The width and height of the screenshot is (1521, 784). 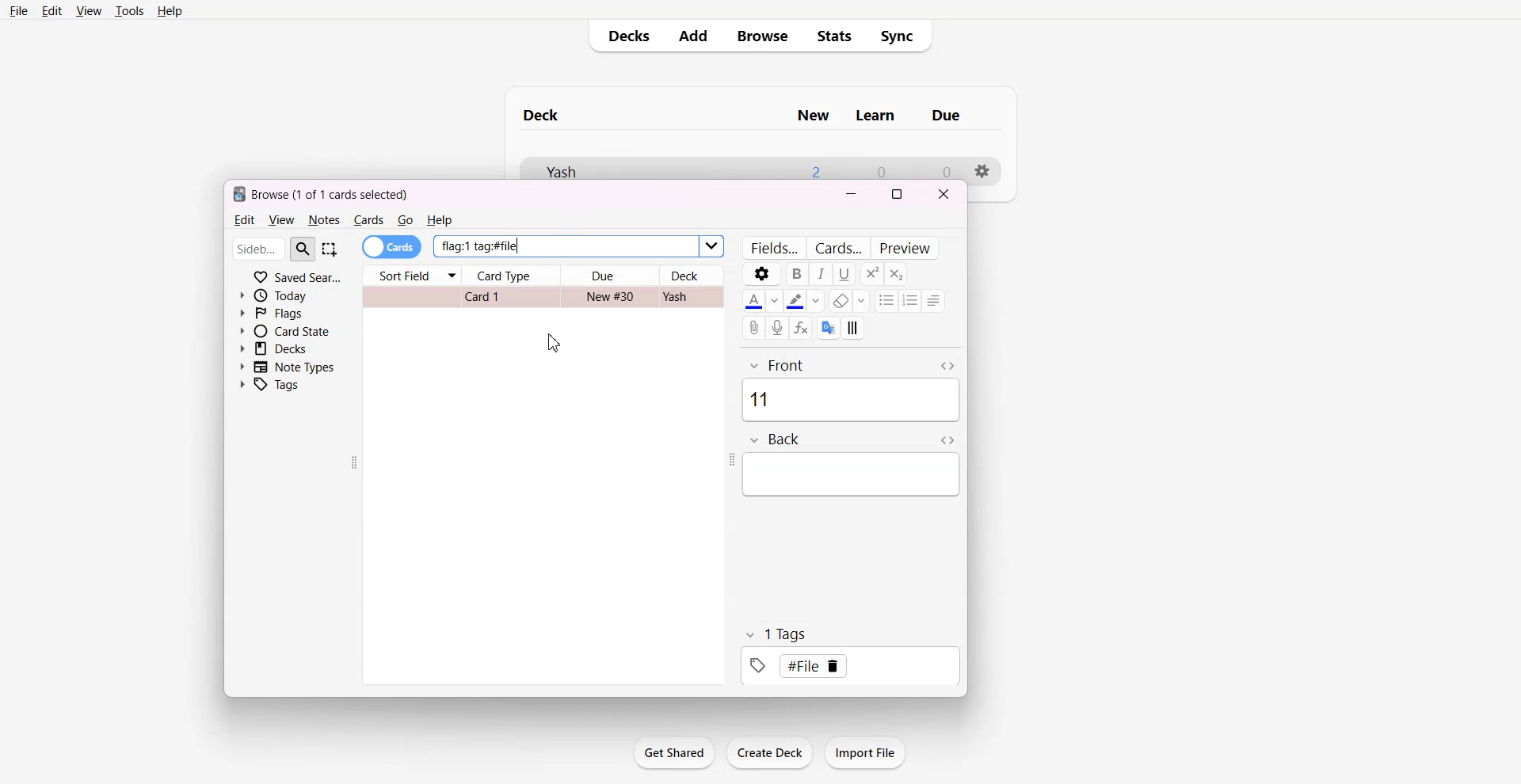 I want to click on Back, so click(x=827, y=438).